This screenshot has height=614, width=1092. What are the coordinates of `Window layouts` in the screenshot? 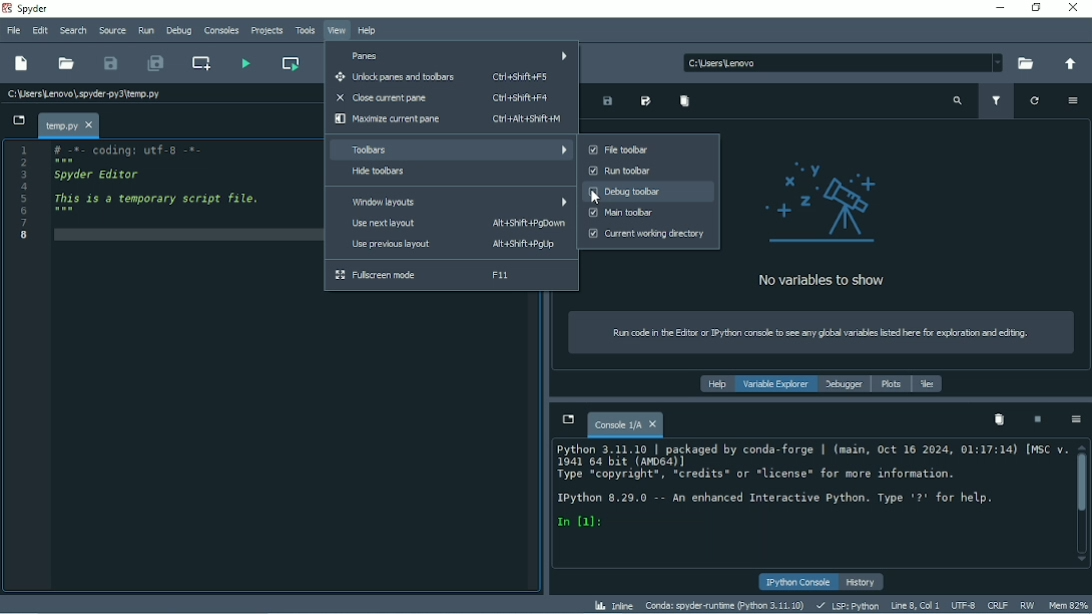 It's located at (452, 203).